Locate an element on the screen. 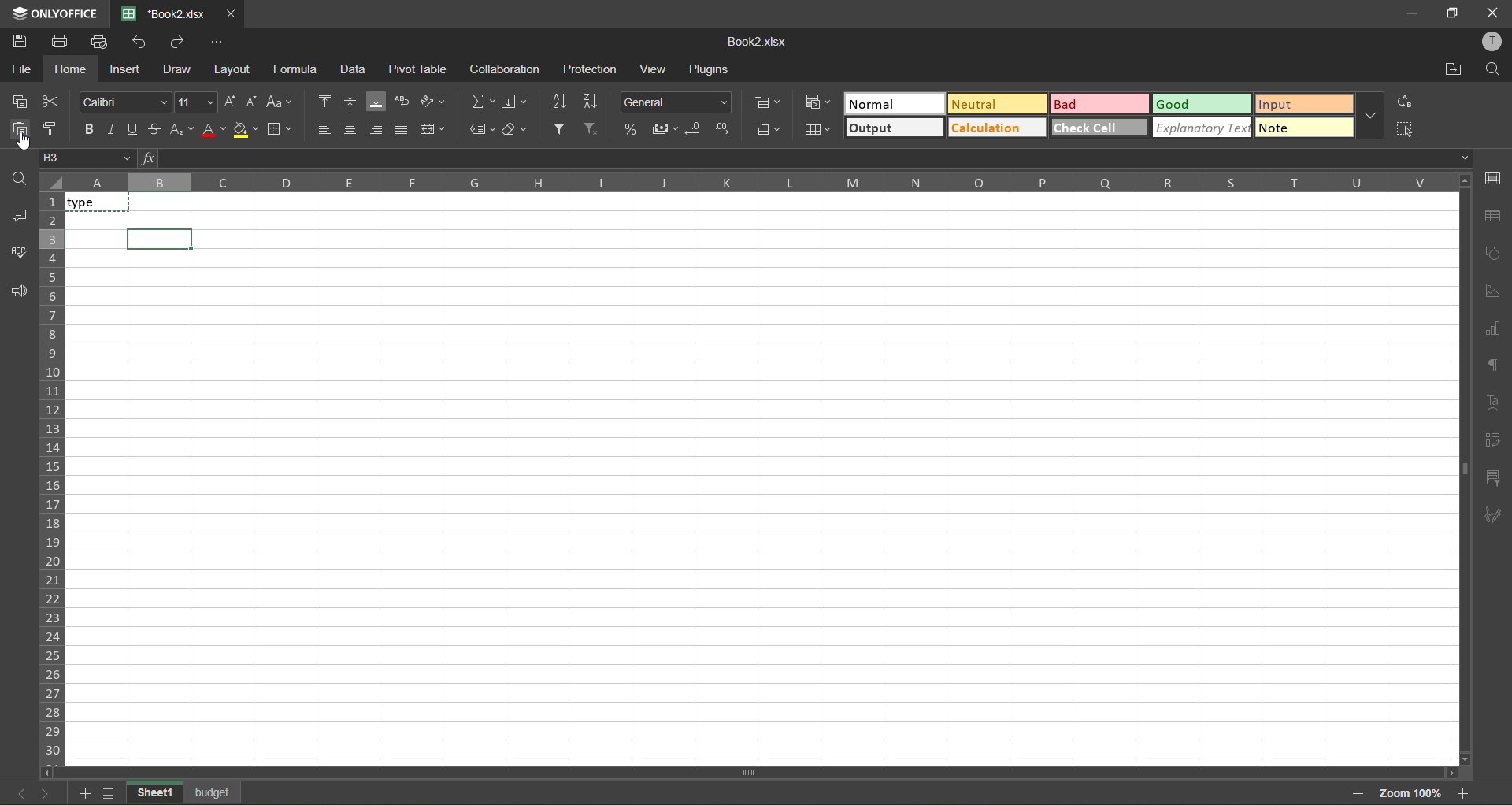 This screenshot has height=805, width=1512. bold is located at coordinates (86, 128).